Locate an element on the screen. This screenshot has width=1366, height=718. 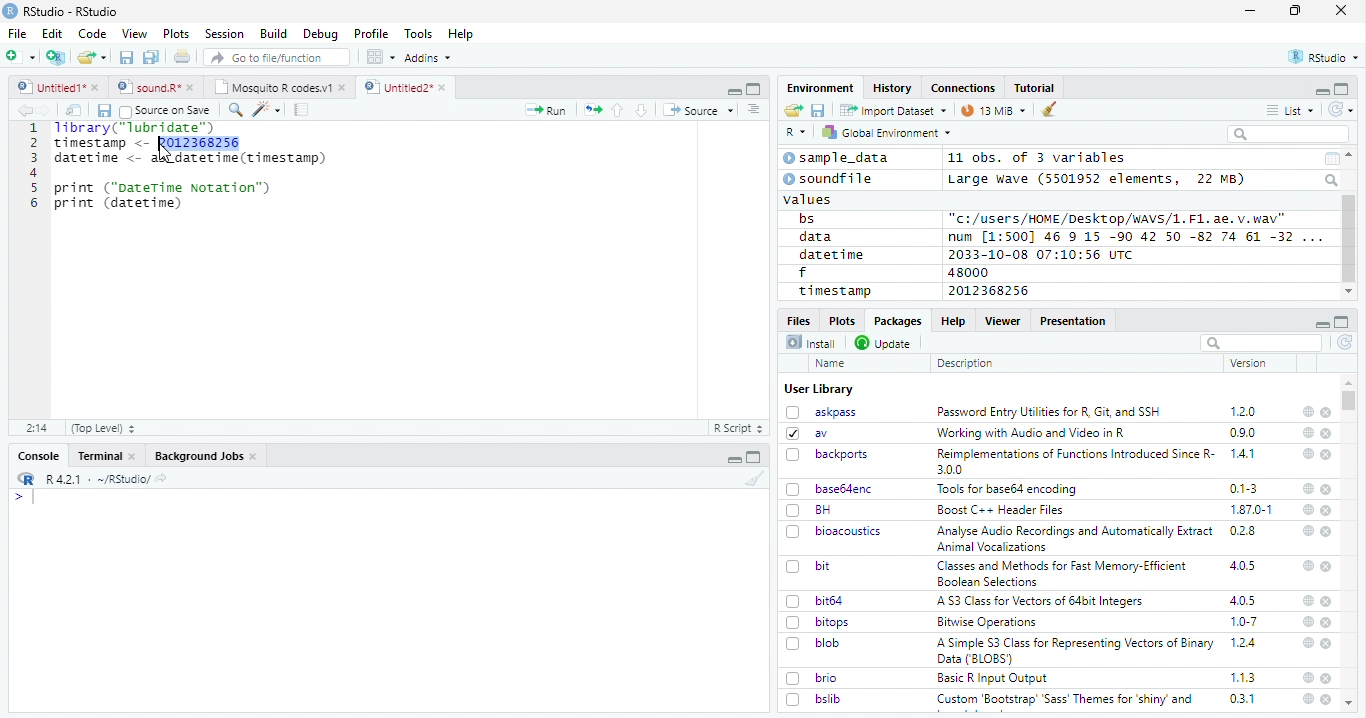
15 MiB is located at coordinates (994, 110).